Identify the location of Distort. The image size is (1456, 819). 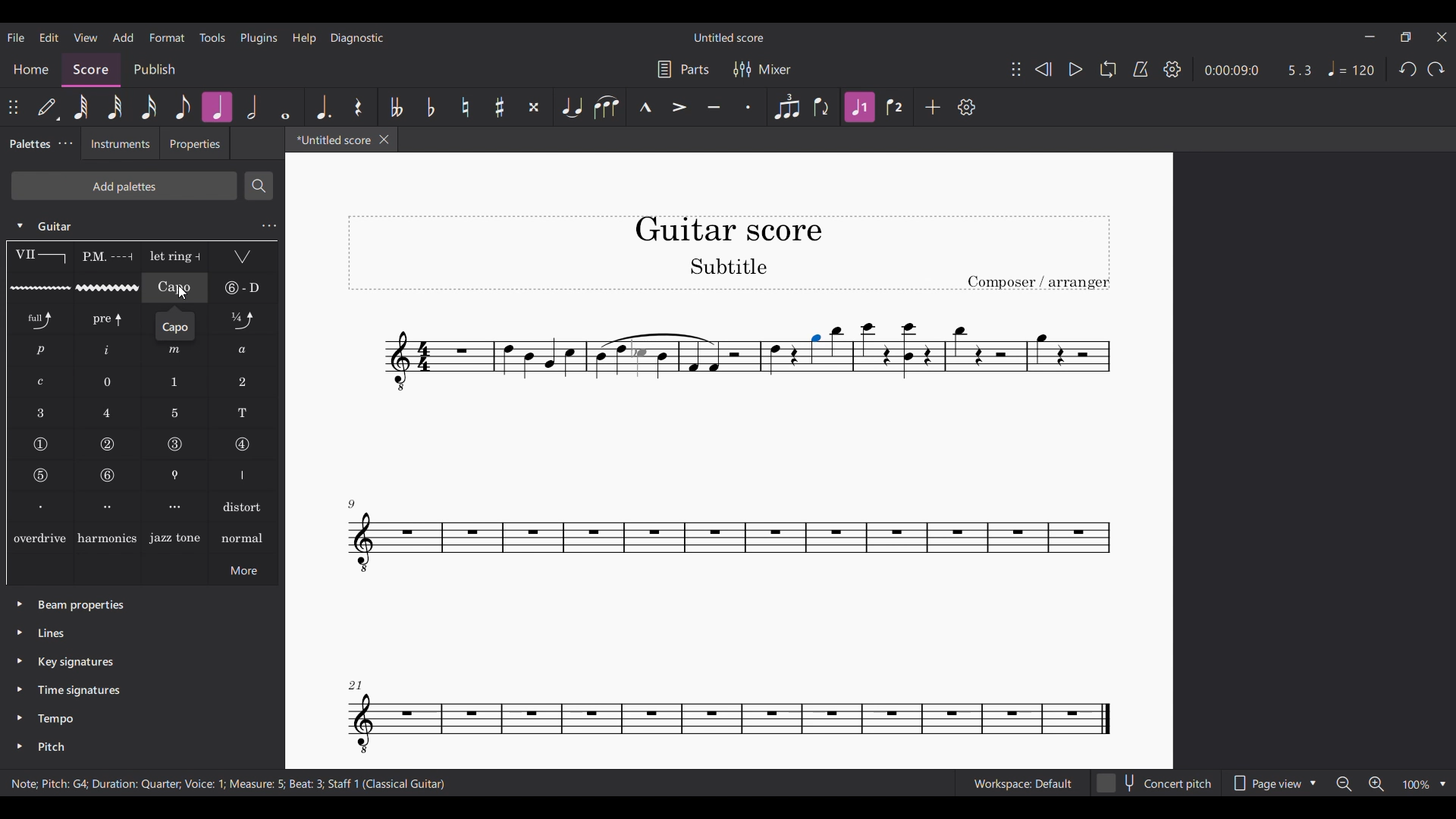
(244, 506).